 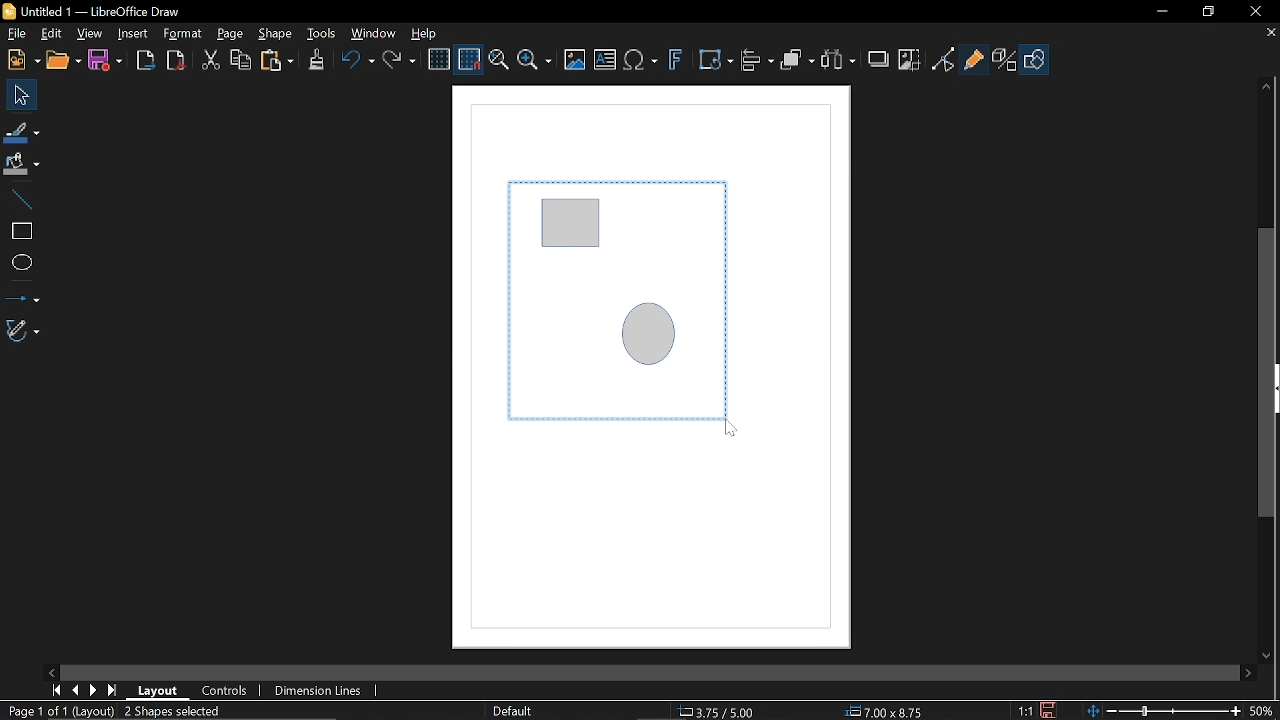 I want to click on Fill color, so click(x=20, y=162).